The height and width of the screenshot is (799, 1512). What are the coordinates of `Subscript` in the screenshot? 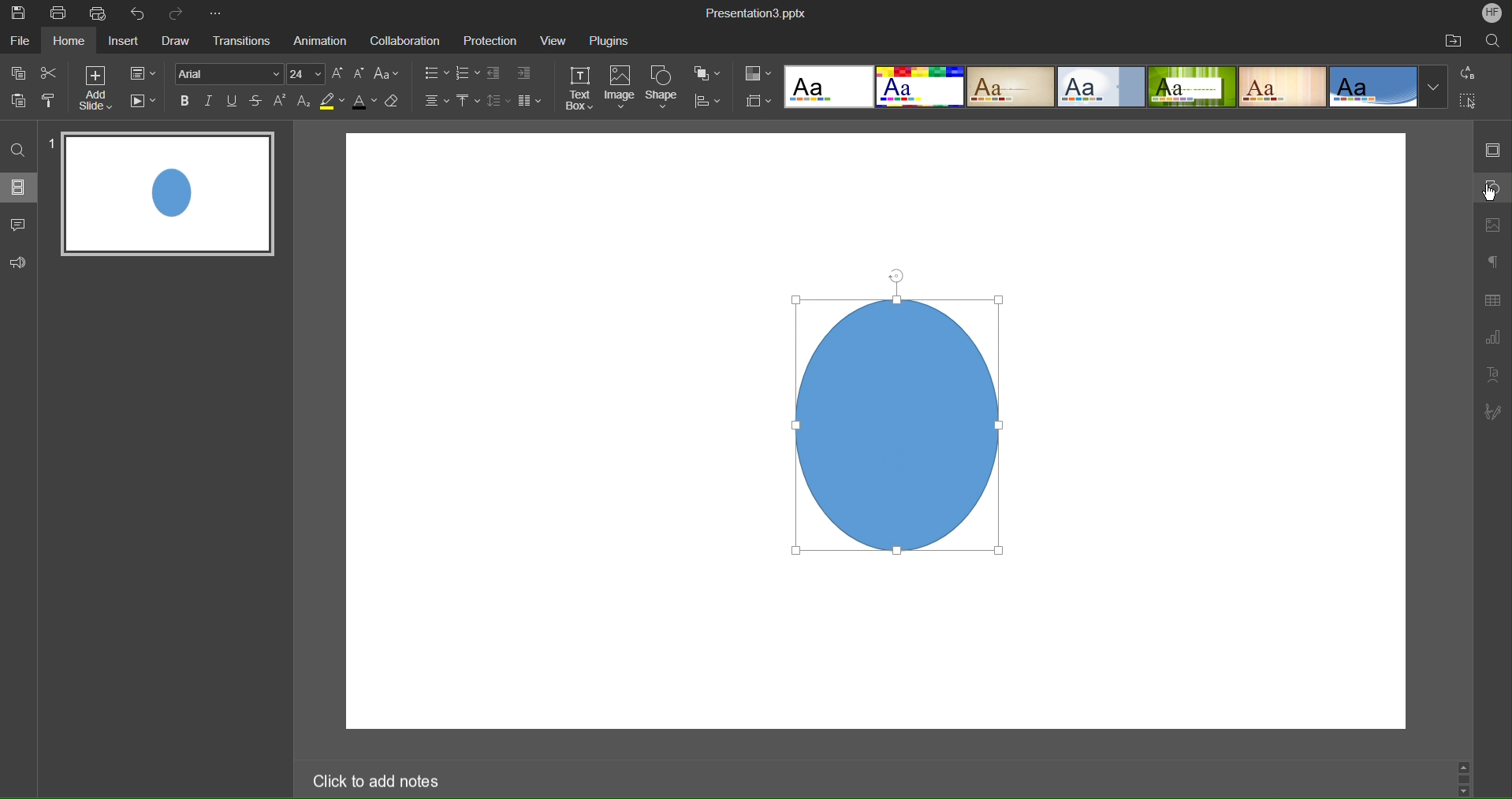 It's located at (304, 102).